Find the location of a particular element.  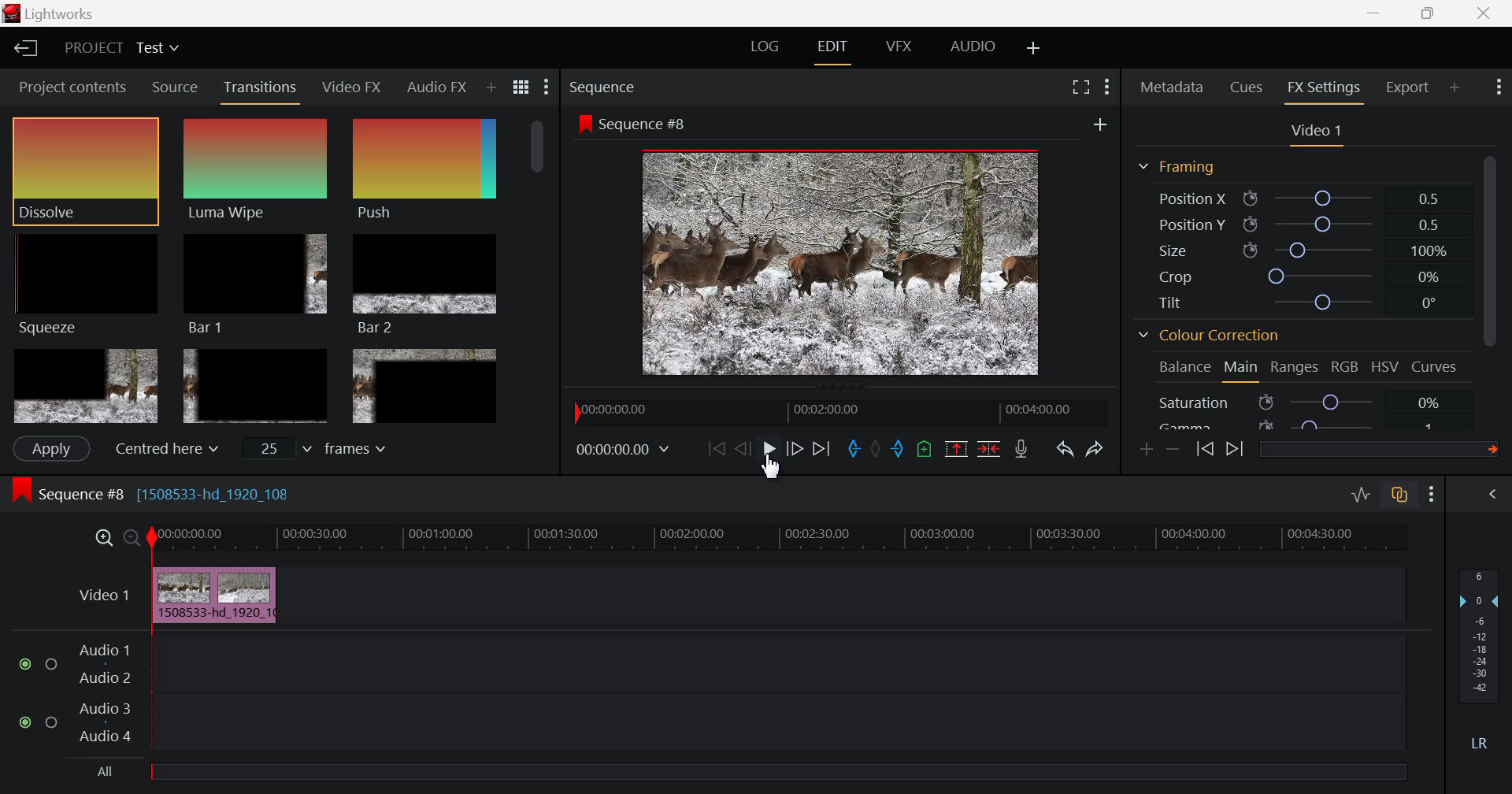

Back to Homepage is located at coordinates (20, 50).